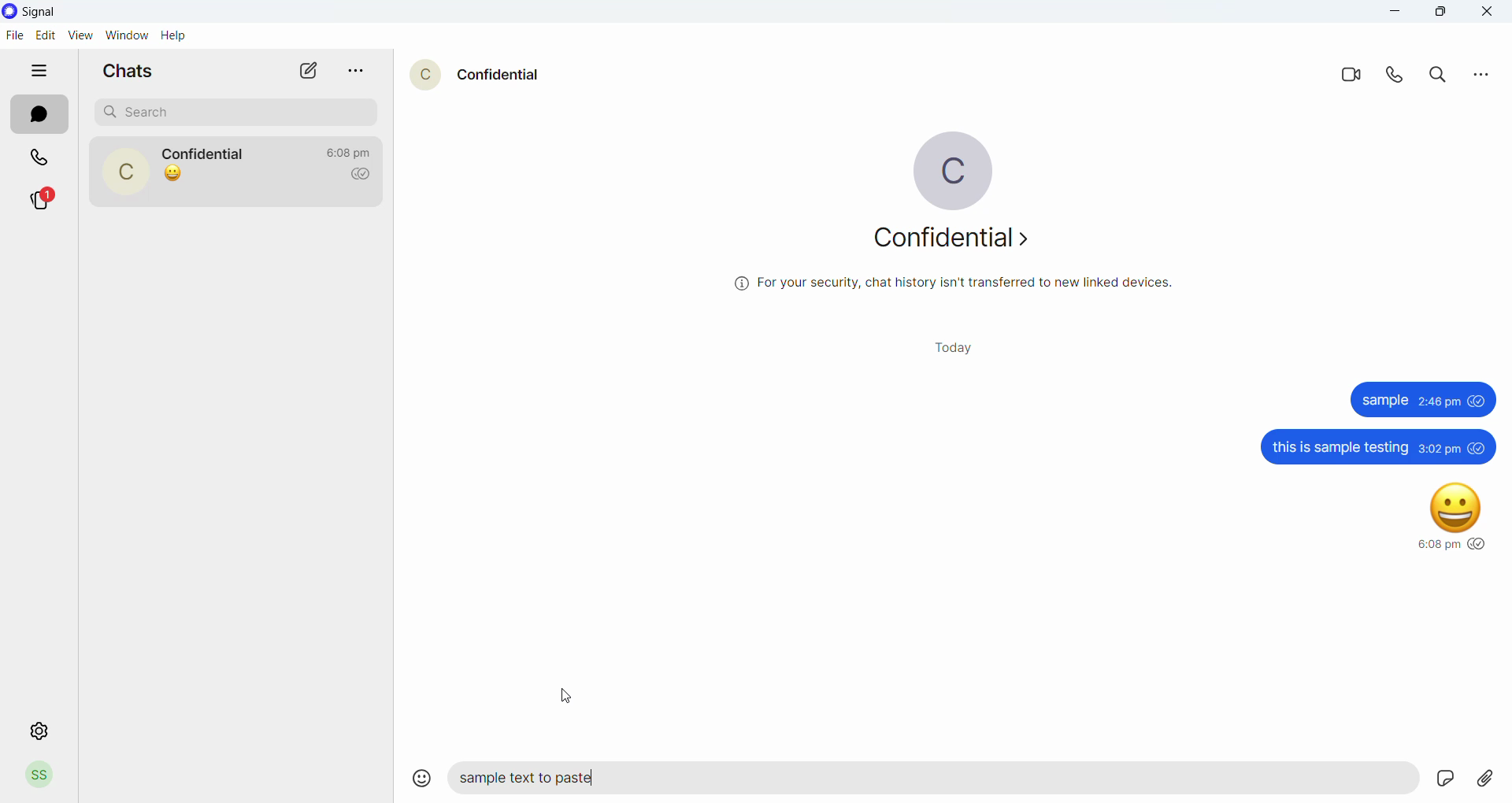  What do you see at coordinates (362, 72) in the screenshot?
I see `more options` at bounding box center [362, 72].